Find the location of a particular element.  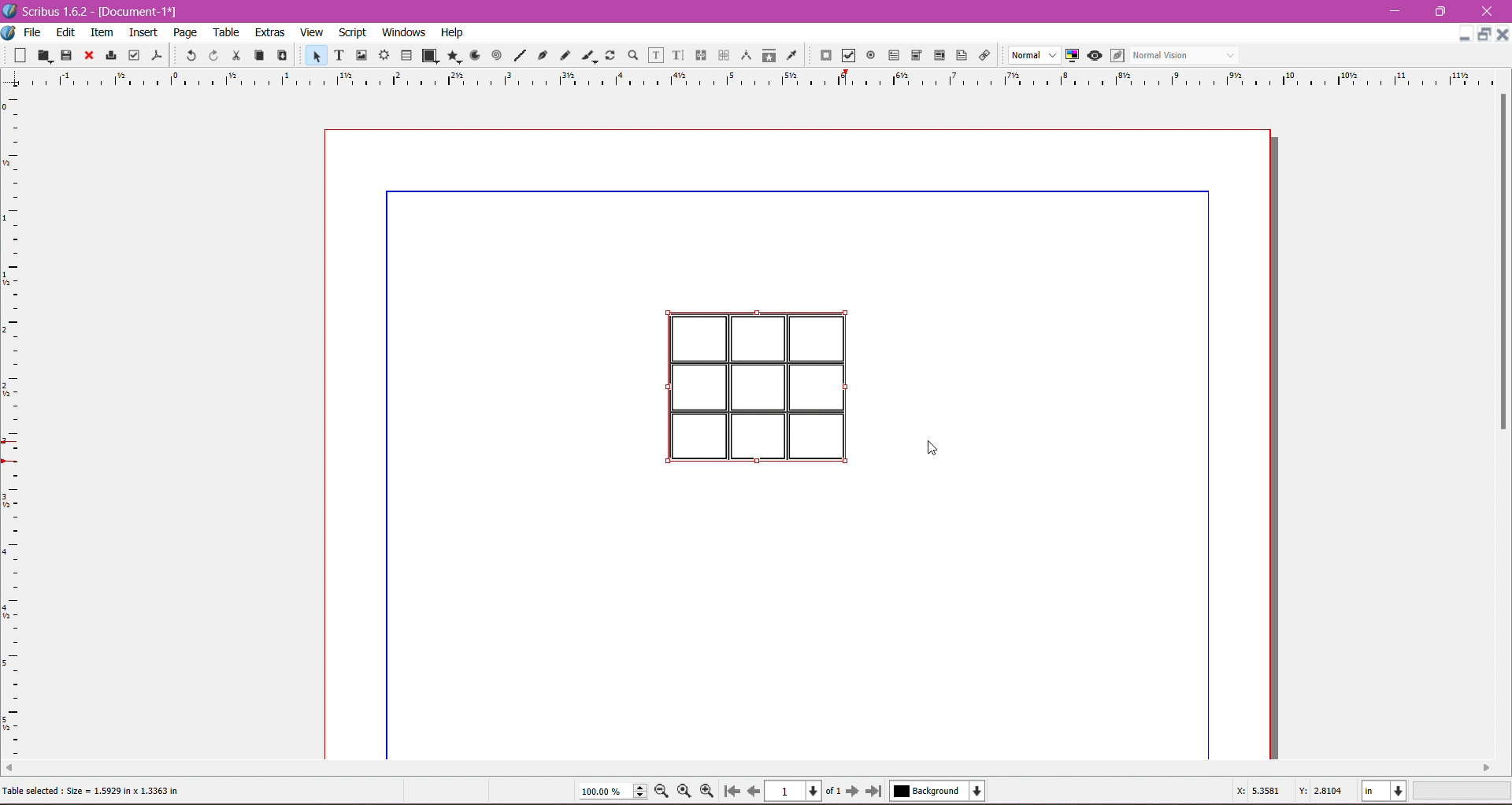

Vertical ruler is located at coordinates (28, 426).